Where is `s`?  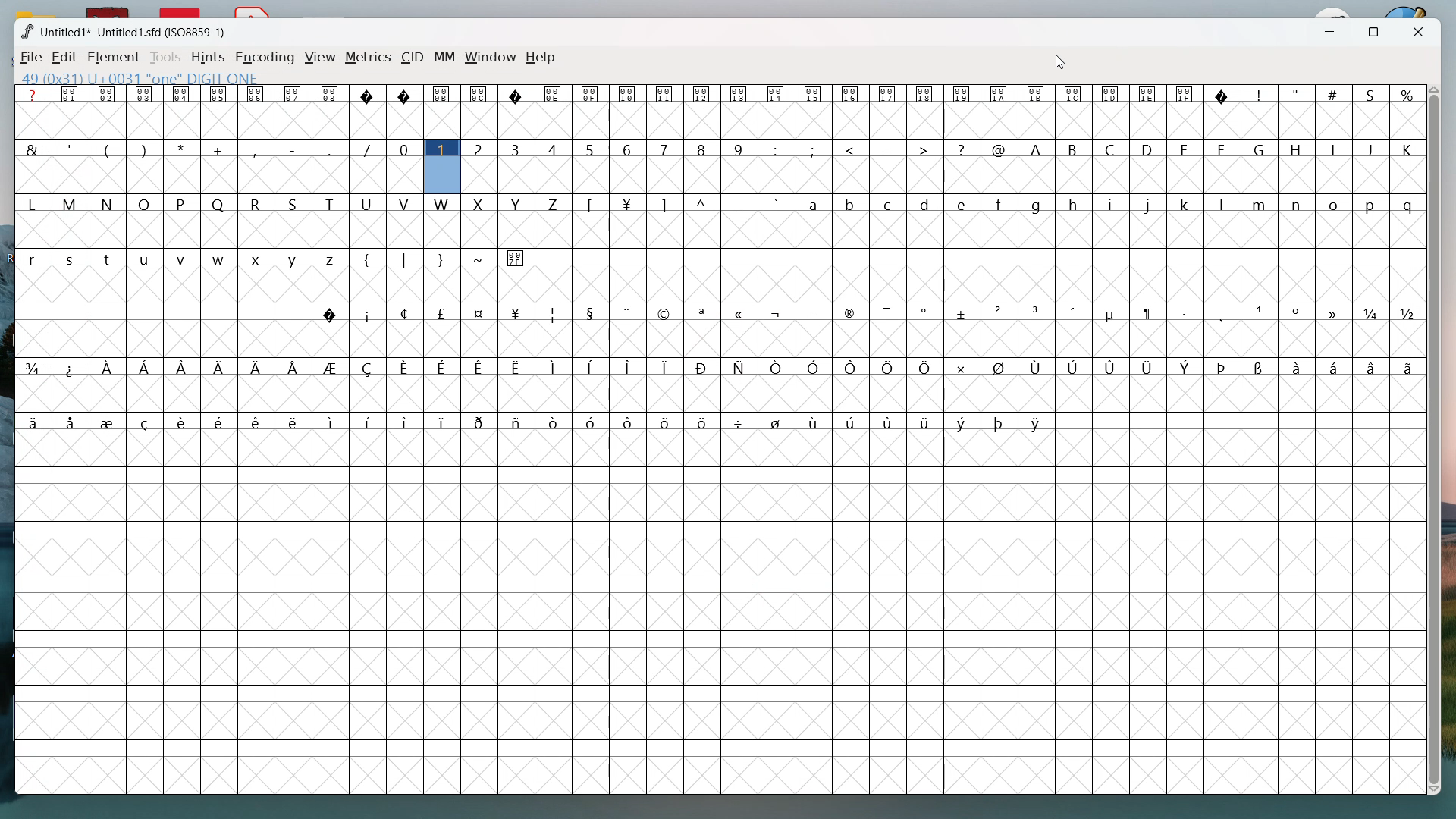
s is located at coordinates (71, 258).